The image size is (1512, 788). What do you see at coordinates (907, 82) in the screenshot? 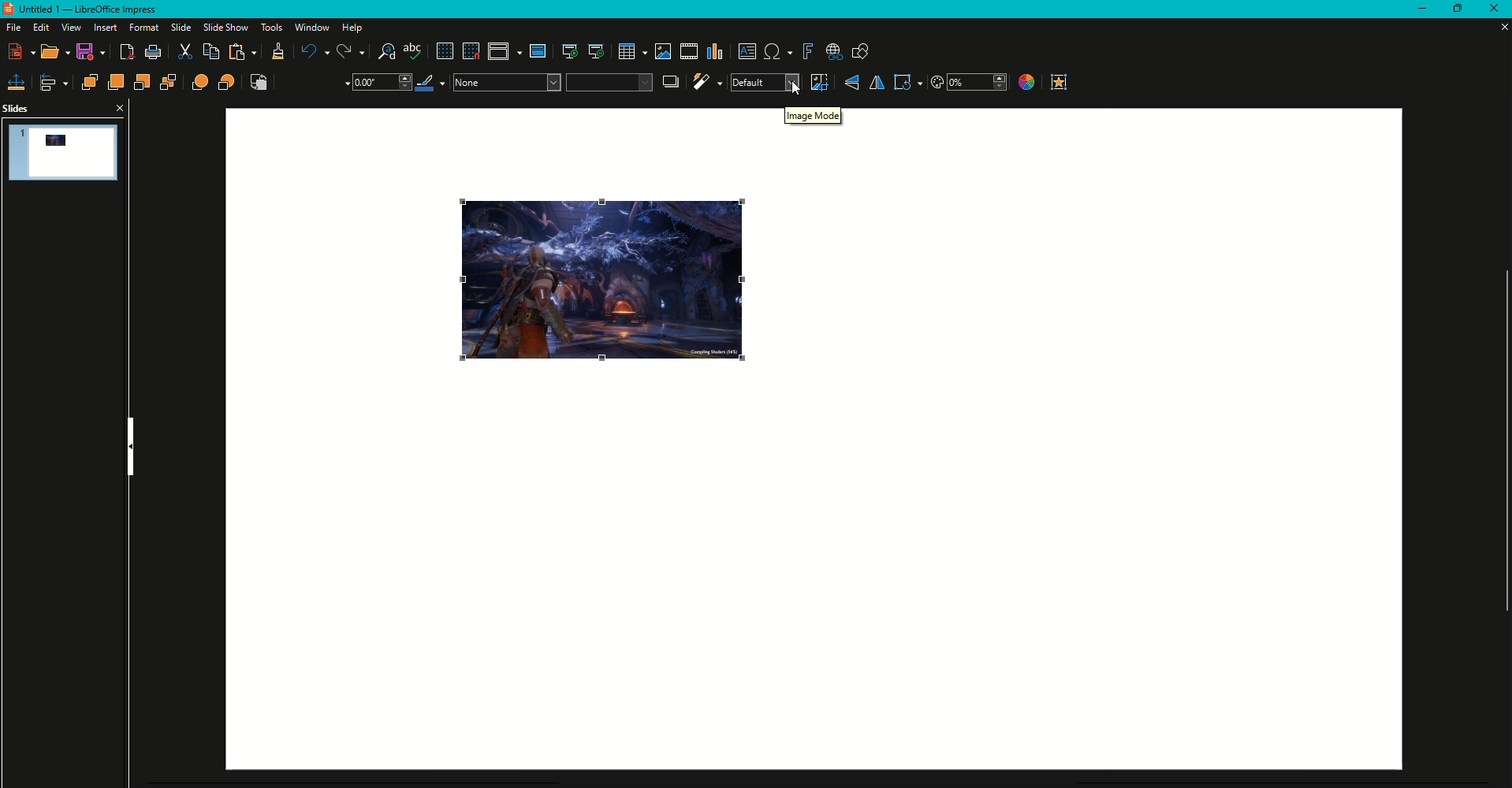
I see `Transformations` at bounding box center [907, 82].